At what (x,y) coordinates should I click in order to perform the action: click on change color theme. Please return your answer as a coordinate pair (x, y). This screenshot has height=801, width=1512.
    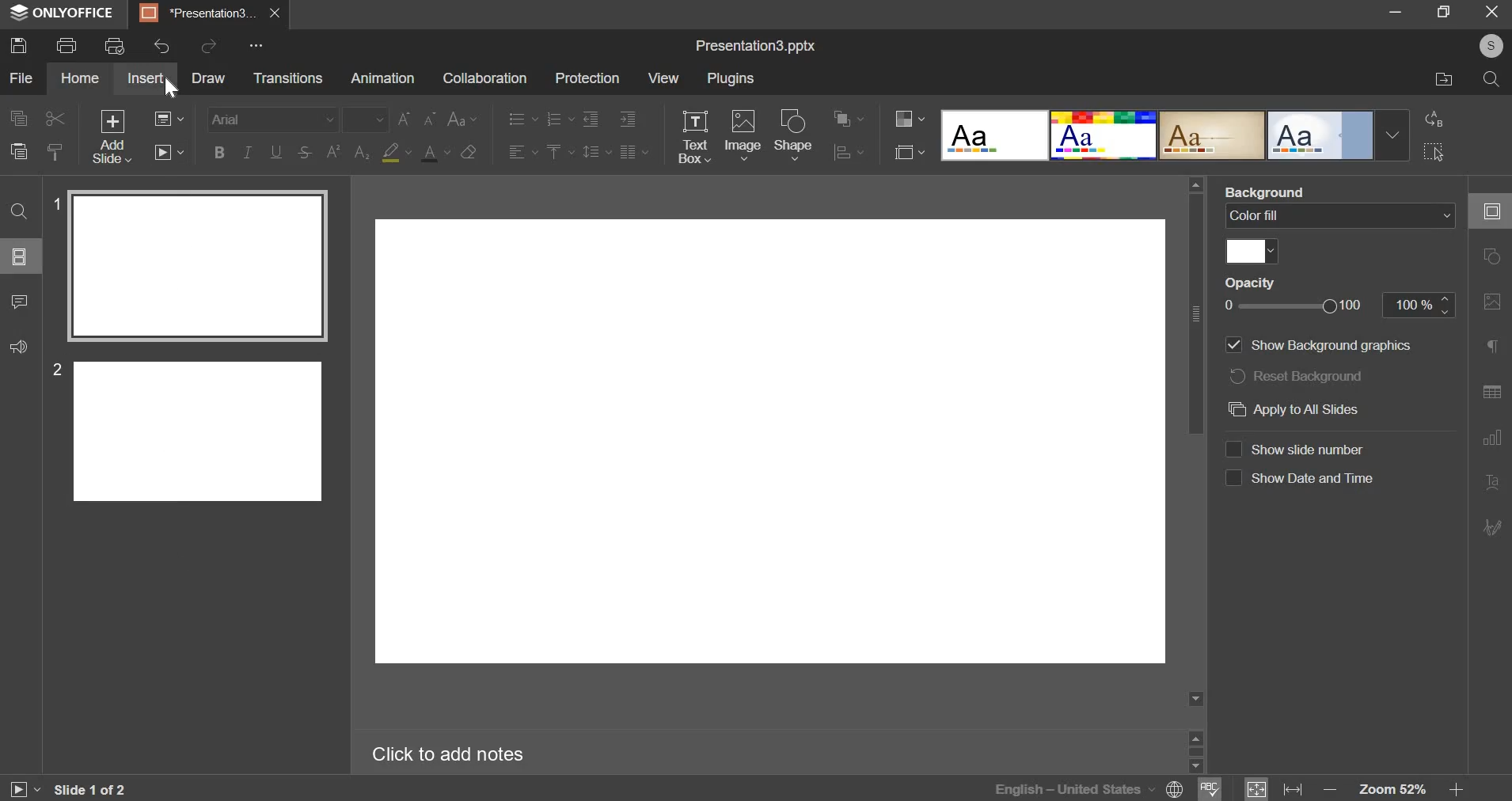
    Looking at the image, I should click on (910, 119).